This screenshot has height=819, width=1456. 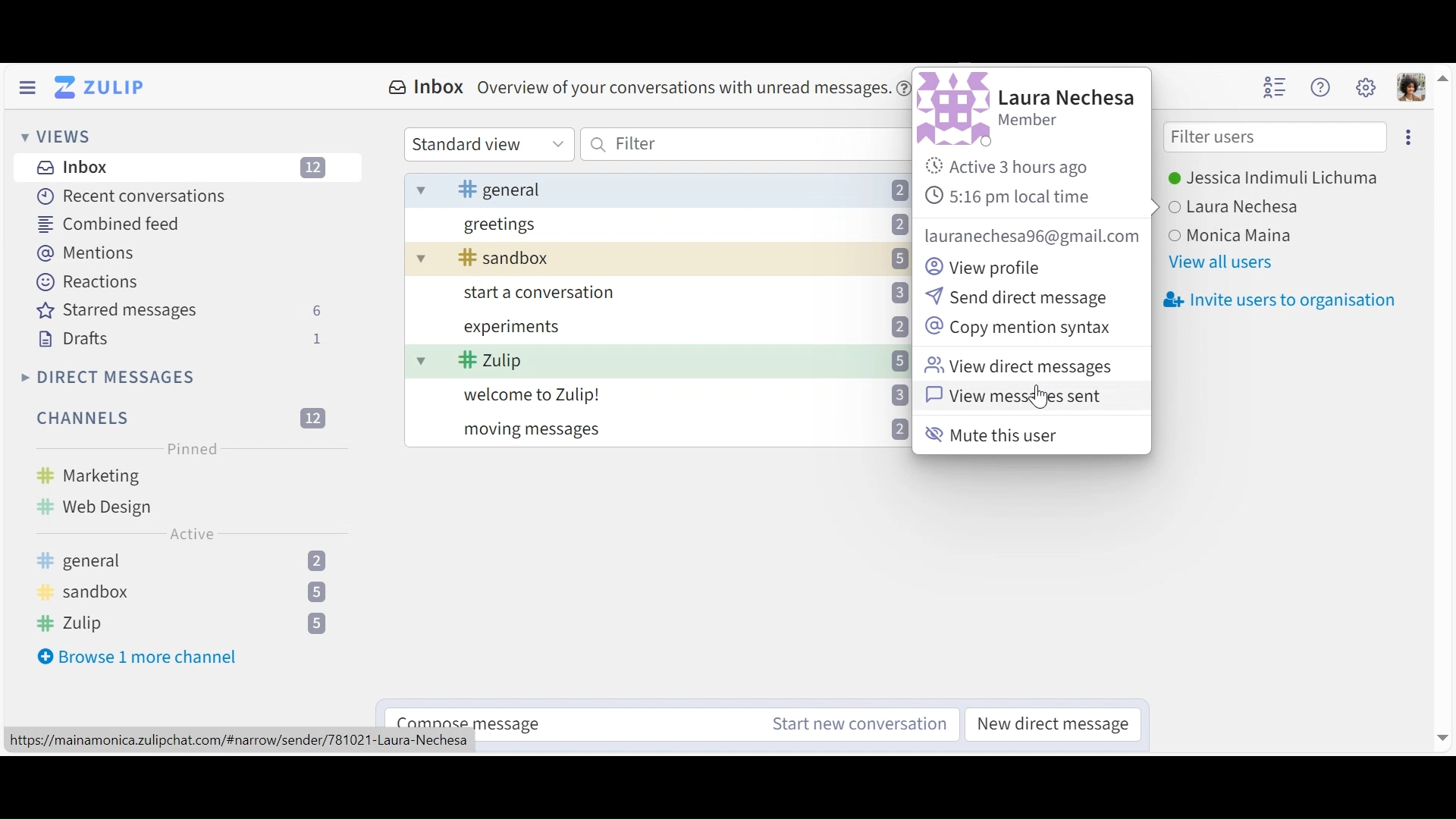 What do you see at coordinates (1240, 206) in the screenshot?
I see `user 2` at bounding box center [1240, 206].